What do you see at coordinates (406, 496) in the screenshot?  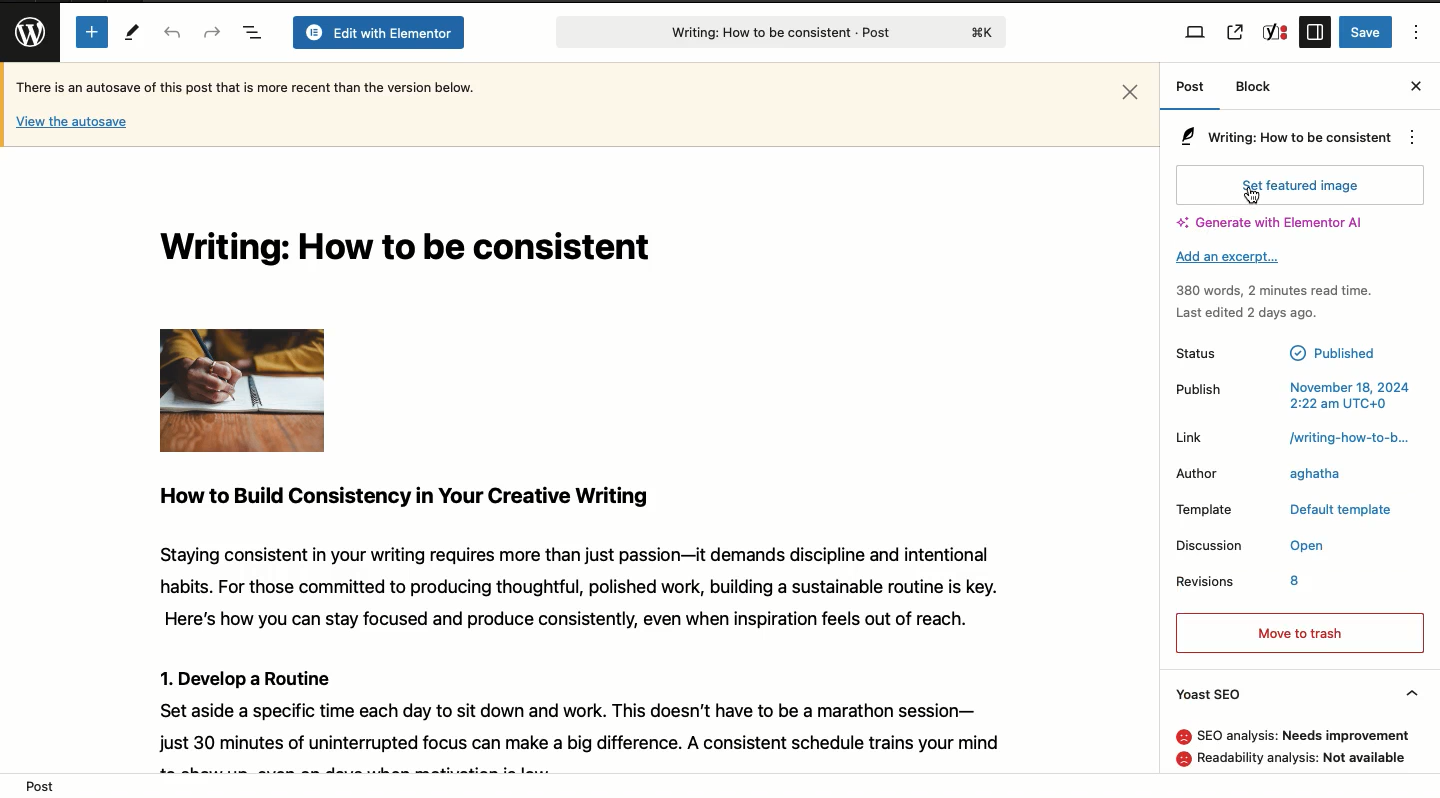 I see `How to Build Consistency in Your Creative Writing` at bounding box center [406, 496].